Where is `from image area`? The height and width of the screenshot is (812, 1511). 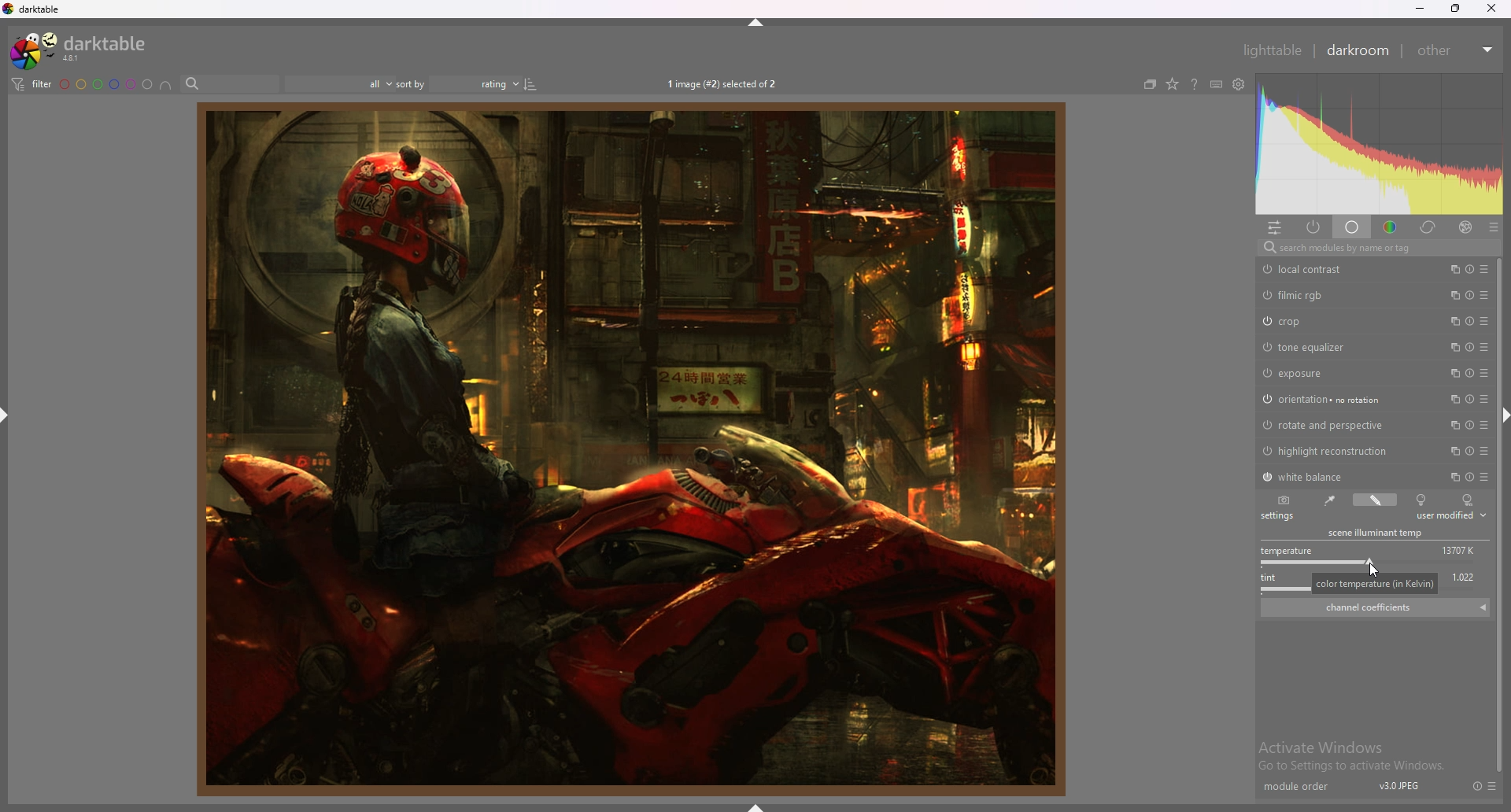
from image area is located at coordinates (1328, 500).